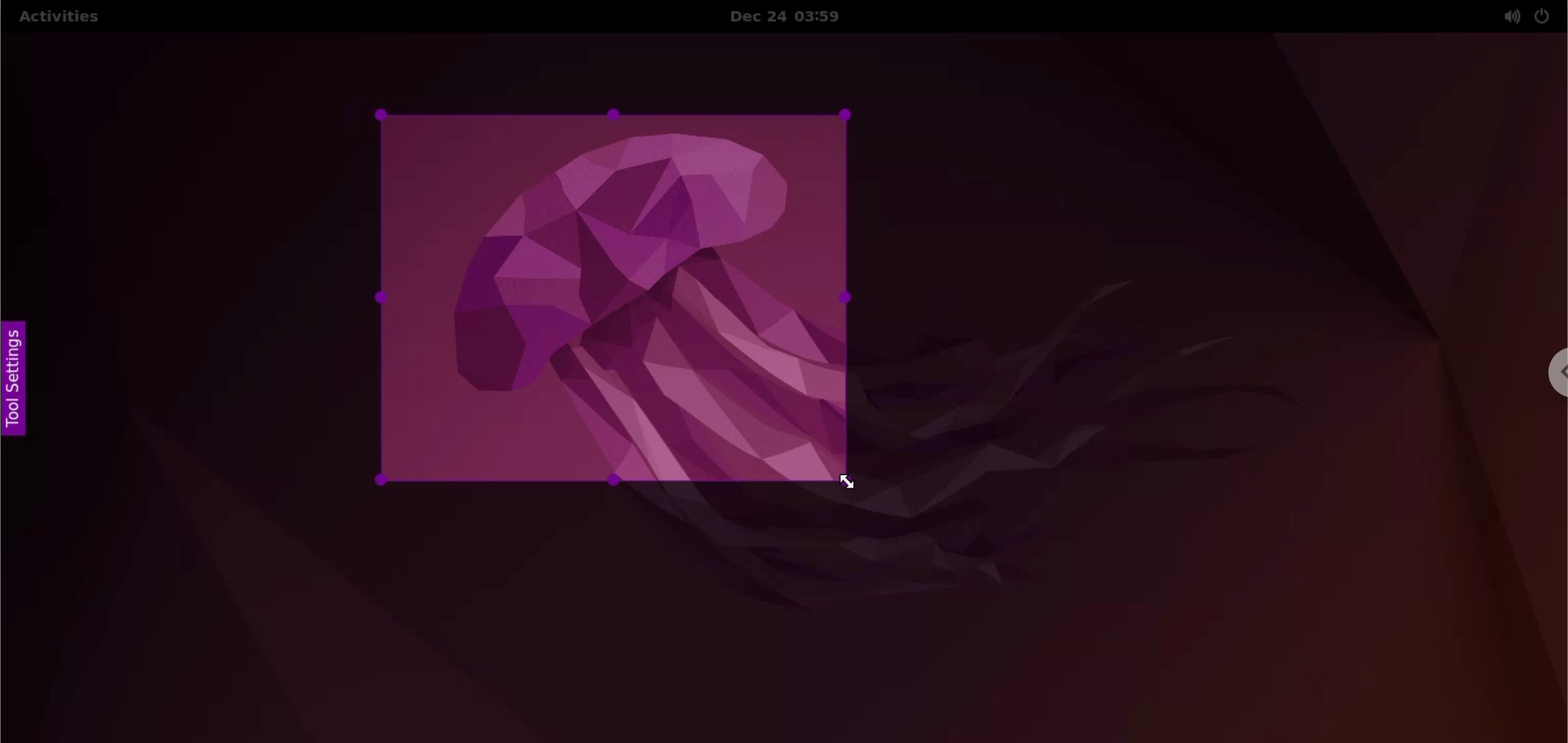 The height and width of the screenshot is (743, 1568). I want to click on sound options , so click(1508, 17).